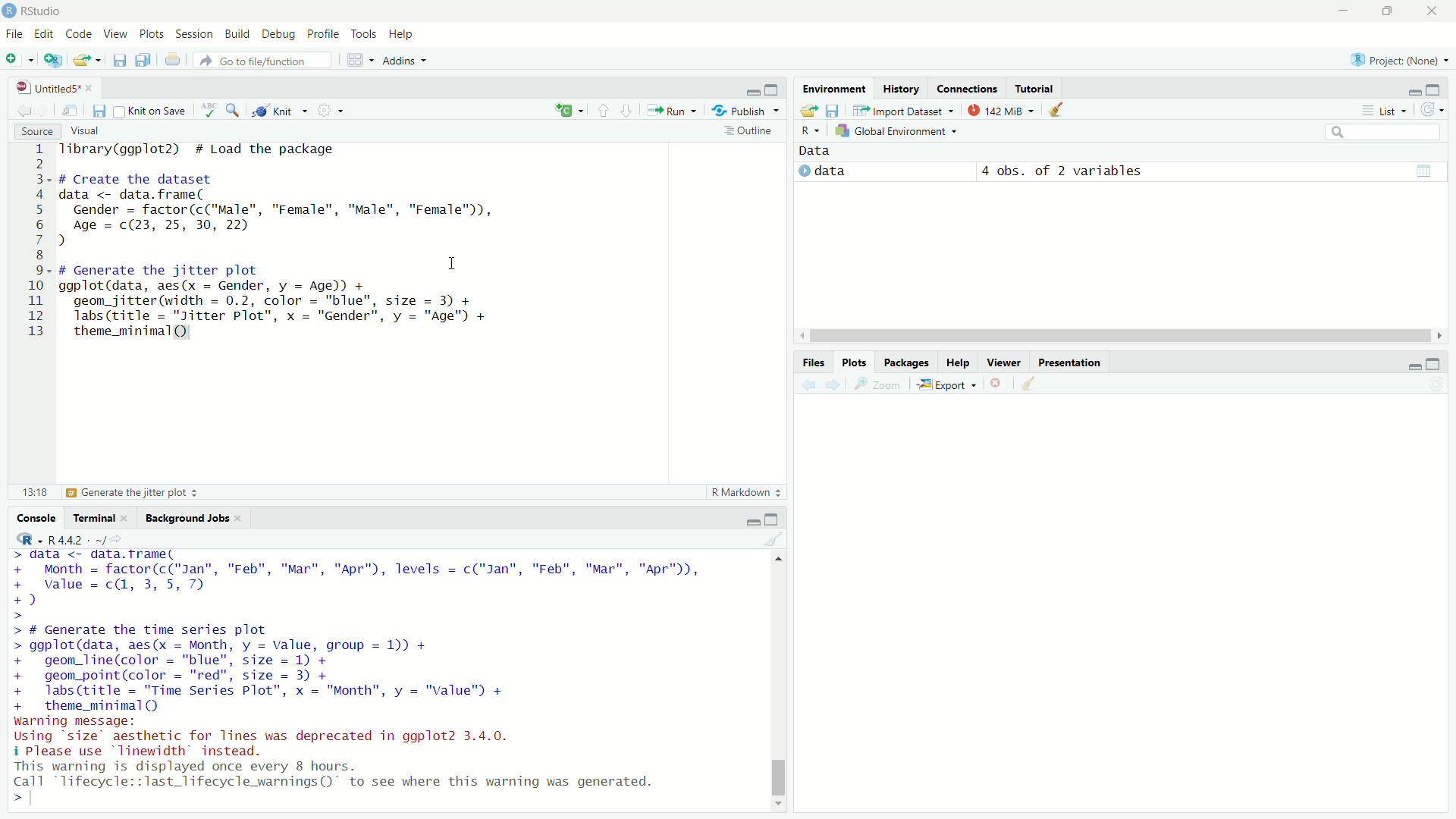  Describe the element at coordinates (120, 59) in the screenshot. I see `save current document` at that location.